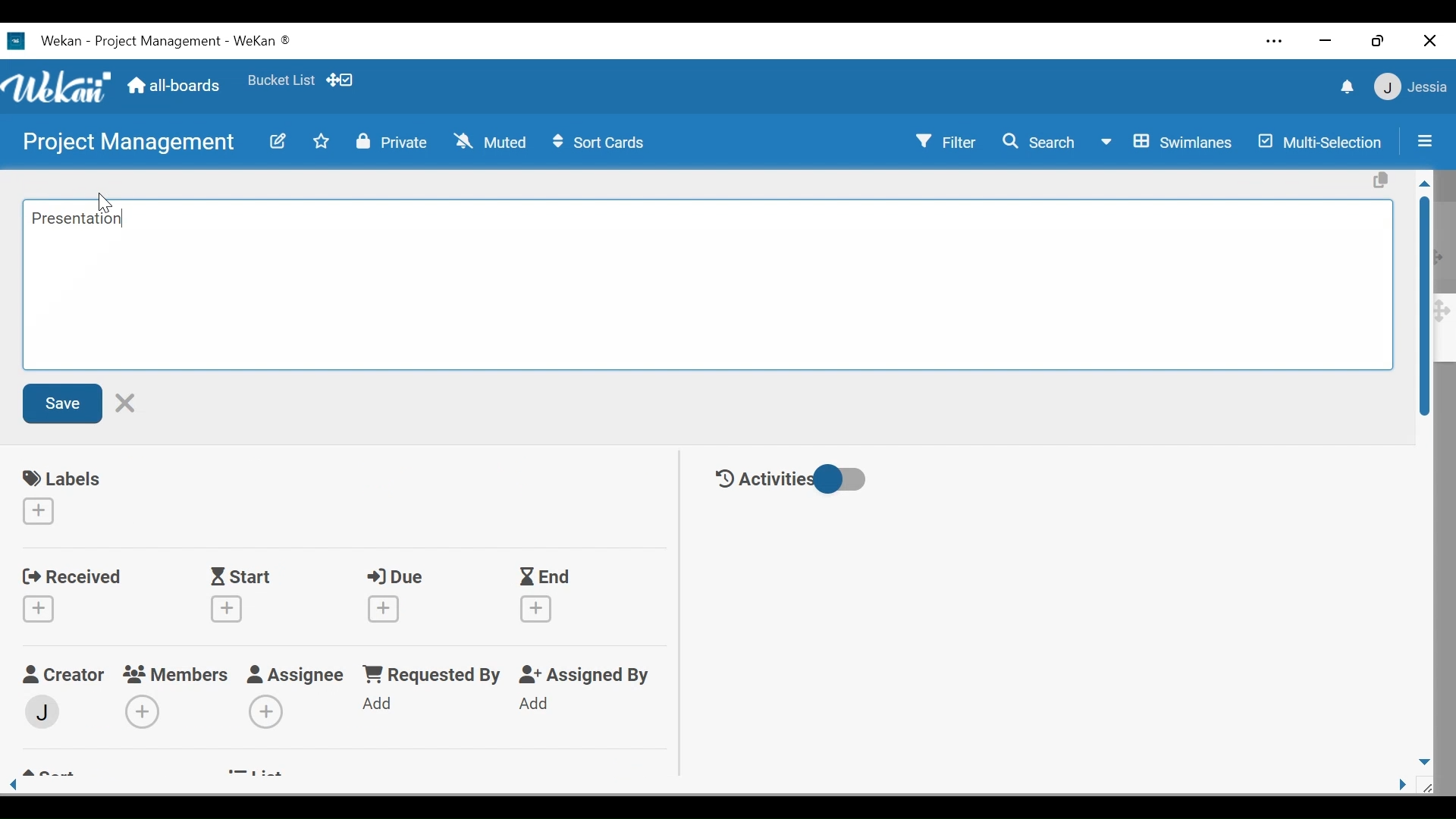 The height and width of the screenshot is (819, 1456). Describe the element at coordinates (74, 576) in the screenshot. I see `Received Date` at that location.